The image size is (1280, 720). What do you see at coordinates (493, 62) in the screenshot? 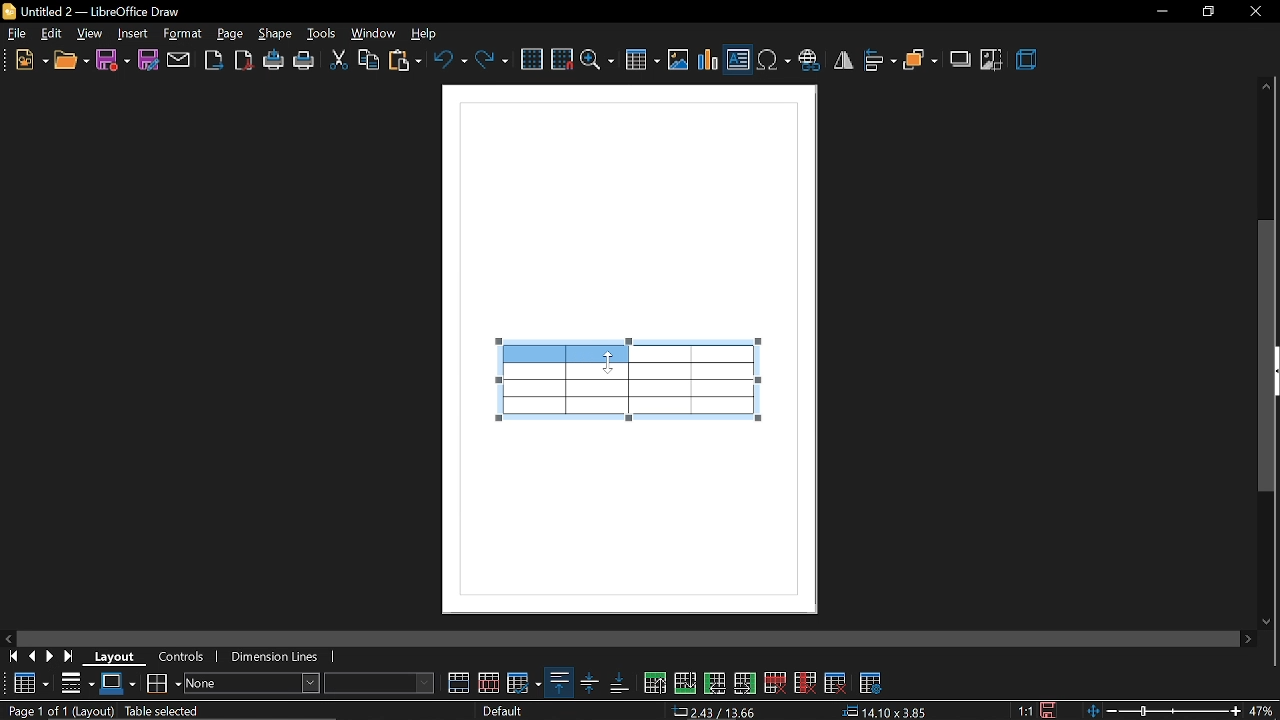
I see `redo` at bounding box center [493, 62].